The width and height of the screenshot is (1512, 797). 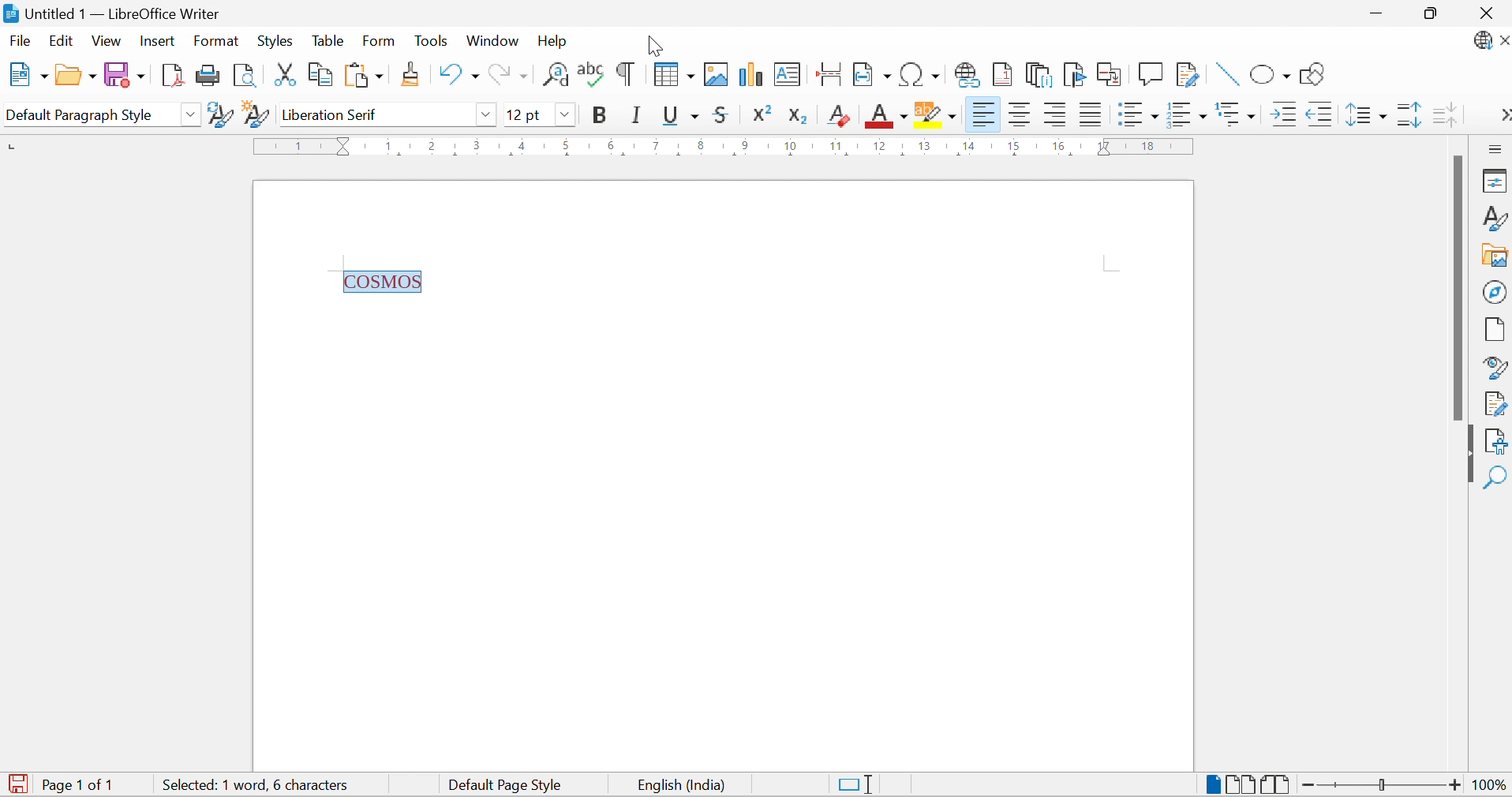 What do you see at coordinates (1111, 76) in the screenshot?
I see `Insert Cross-reference` at bounding box center [1111, 76].